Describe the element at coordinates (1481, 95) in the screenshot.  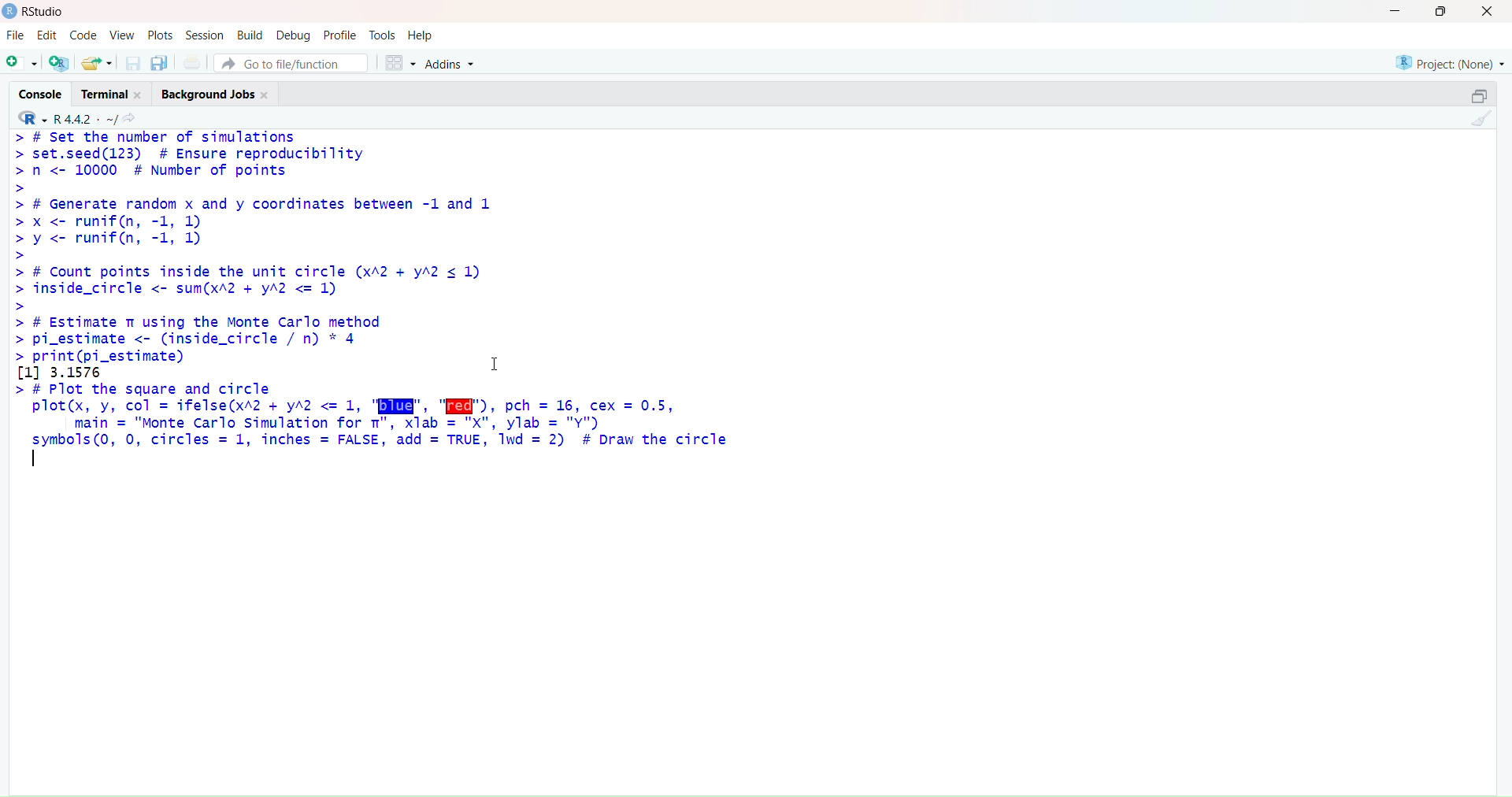
I see `Maximize` at that location.